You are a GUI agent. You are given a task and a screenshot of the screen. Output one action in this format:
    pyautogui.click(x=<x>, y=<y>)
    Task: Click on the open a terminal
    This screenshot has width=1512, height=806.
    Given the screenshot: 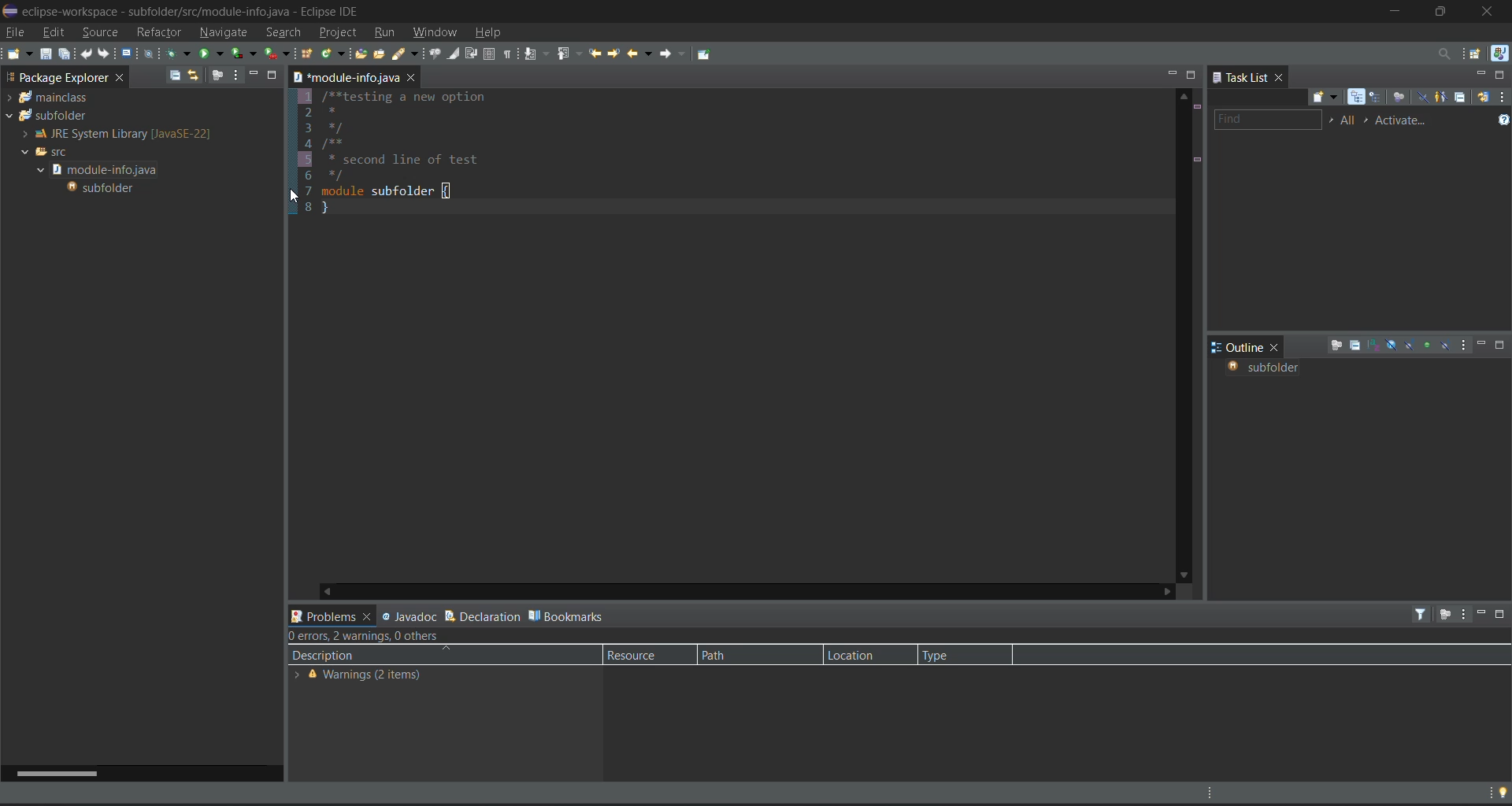 What is the action you would take?
    pyautogui.click(x=128, y=54)
    